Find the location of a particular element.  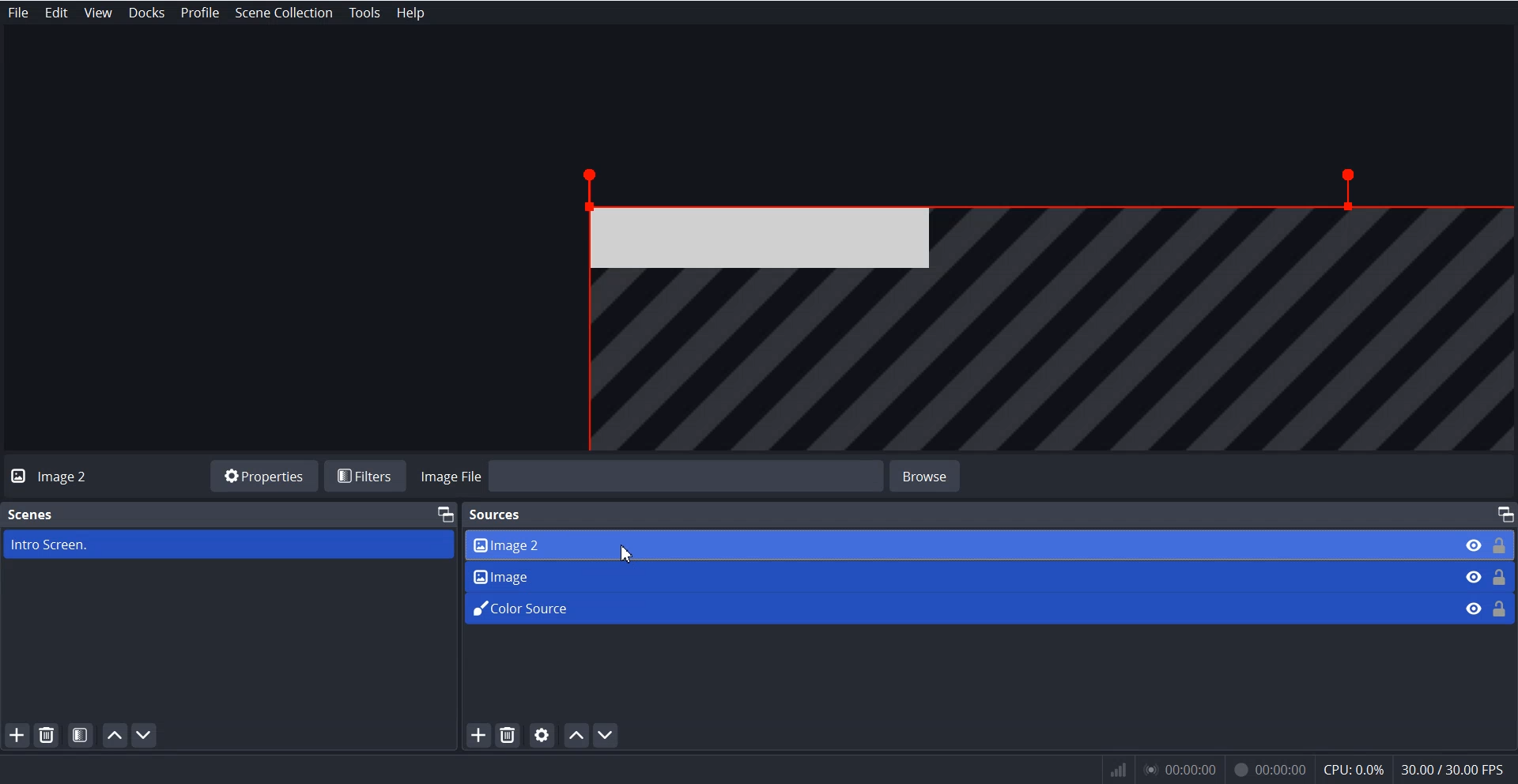

Intro Screen is located at coordinates (228, 545).